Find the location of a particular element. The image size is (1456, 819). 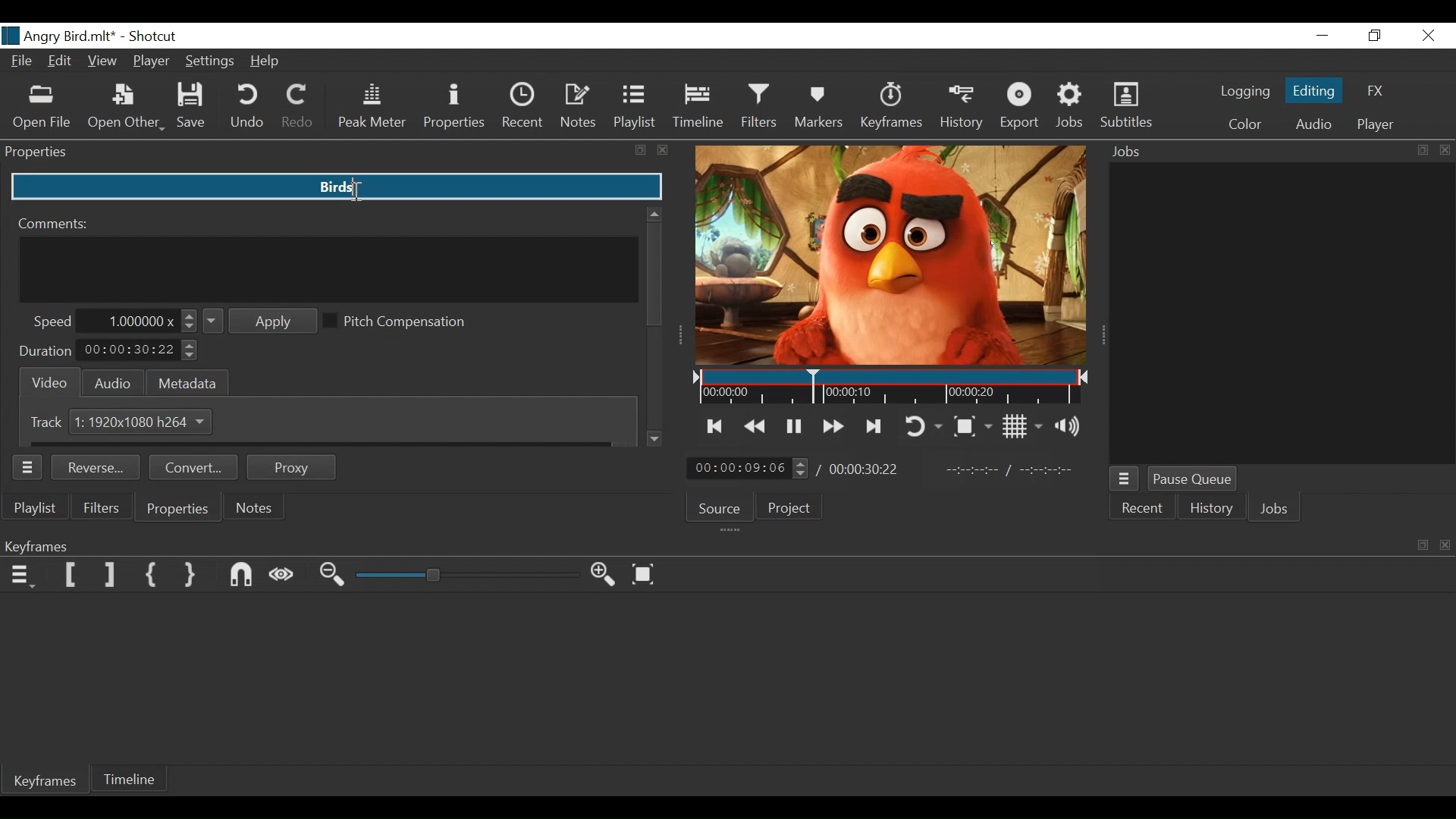

Zoom Keyframe out is located at coordinates (334, 576).